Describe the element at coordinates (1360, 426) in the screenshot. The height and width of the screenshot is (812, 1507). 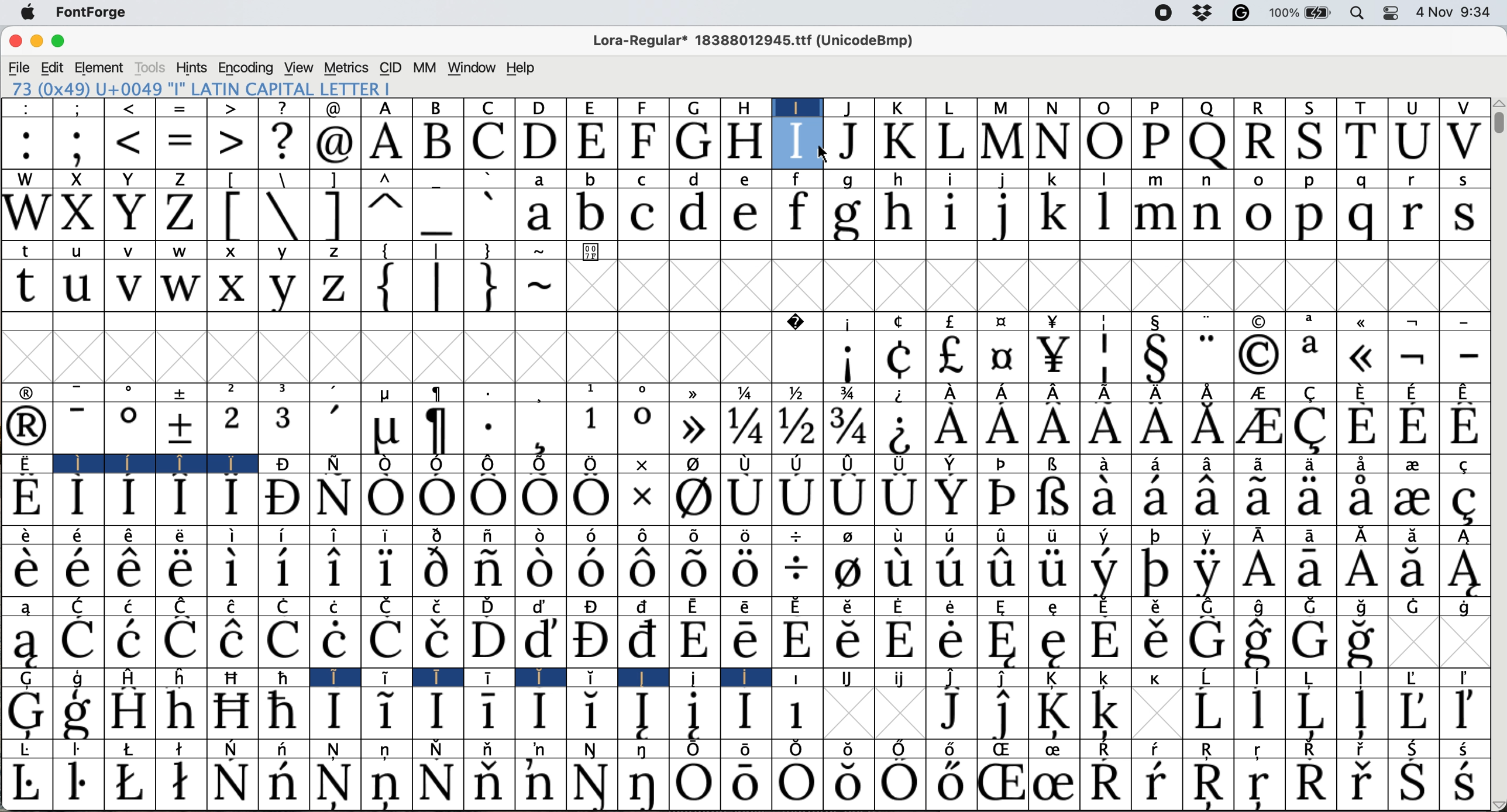
I see `Symbol` at that location.